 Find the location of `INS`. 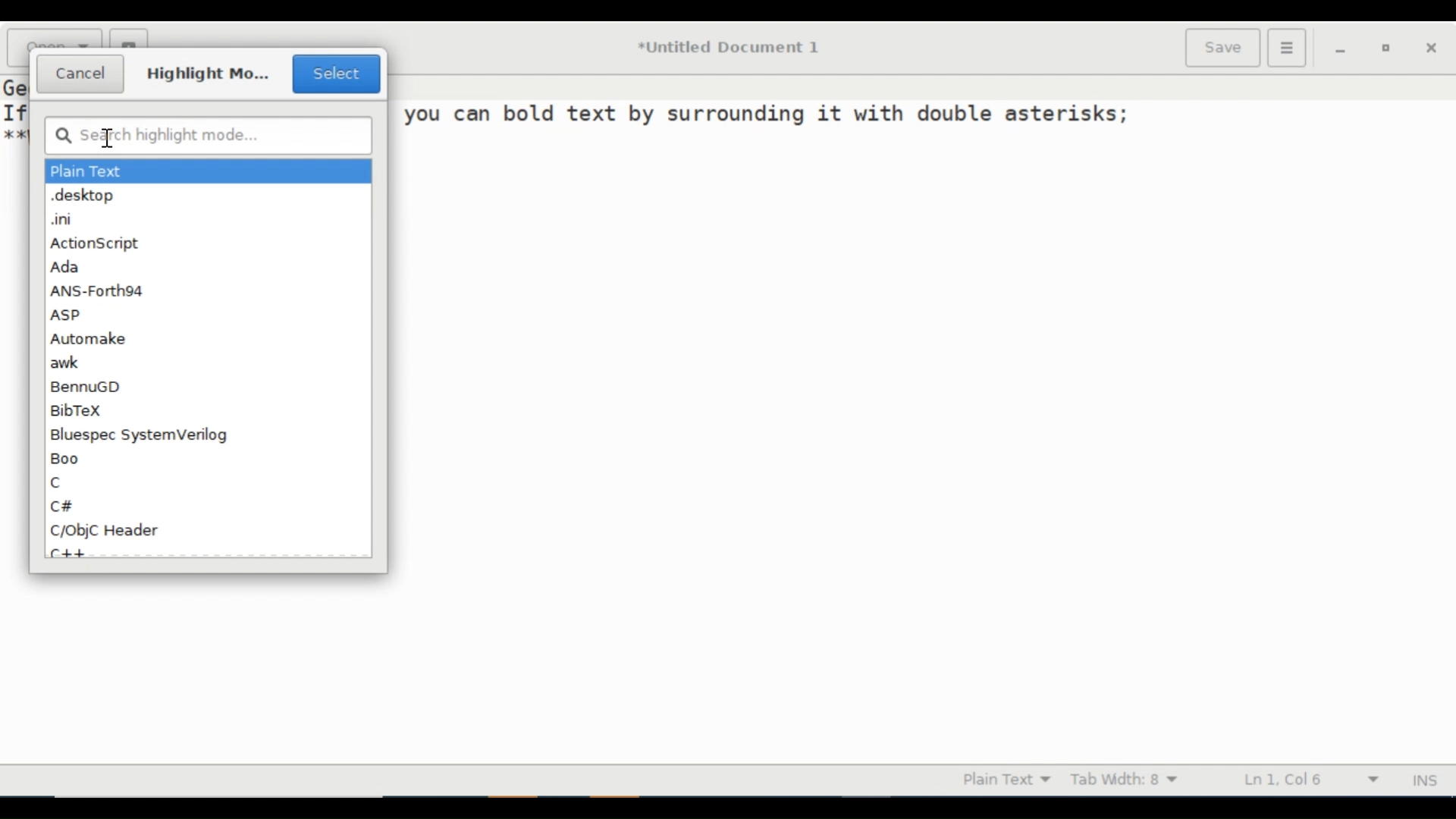

INS is located at coordinates (1428, 780).